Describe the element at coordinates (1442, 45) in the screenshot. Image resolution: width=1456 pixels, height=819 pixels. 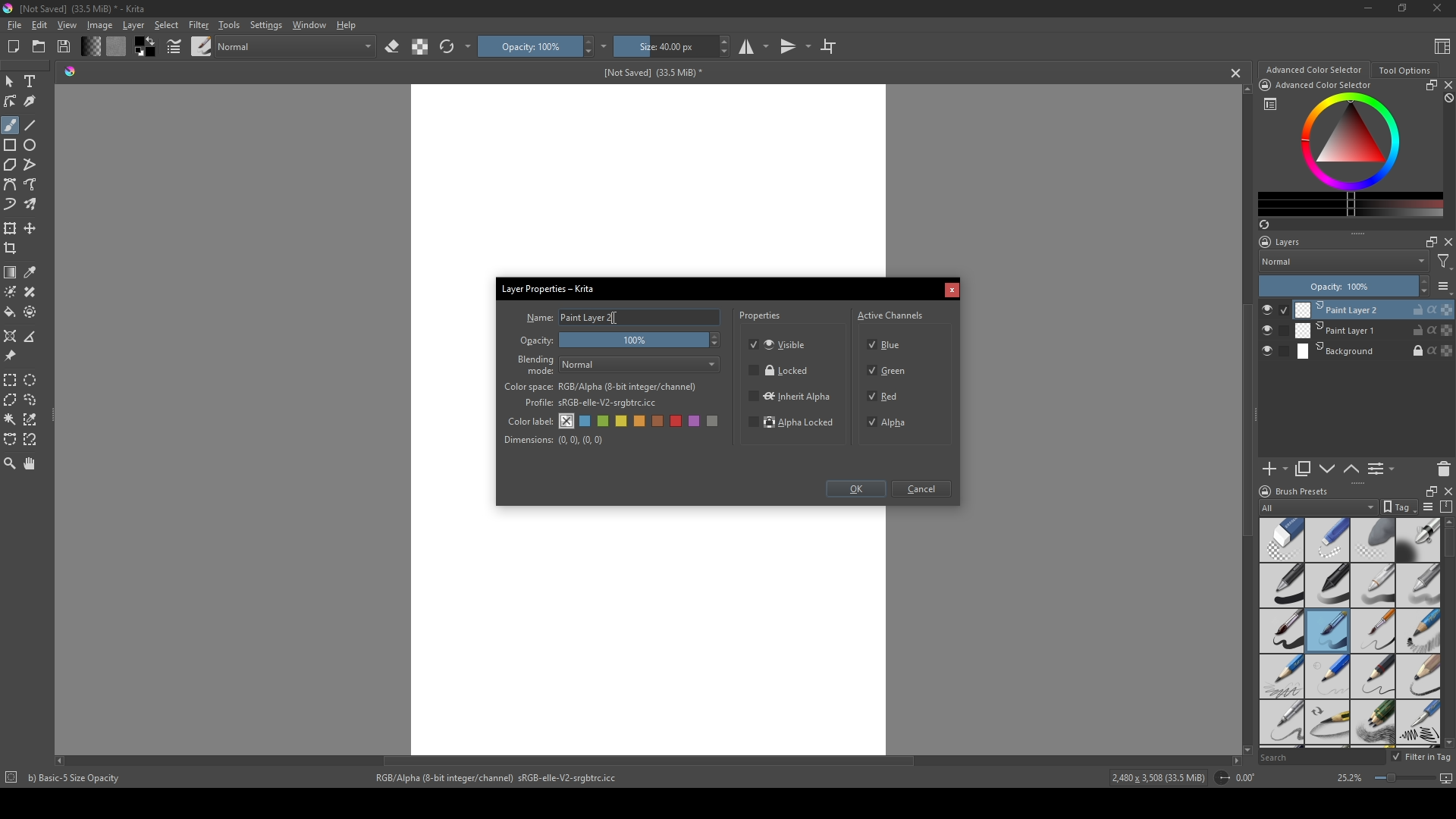
I see `Content` at that location.